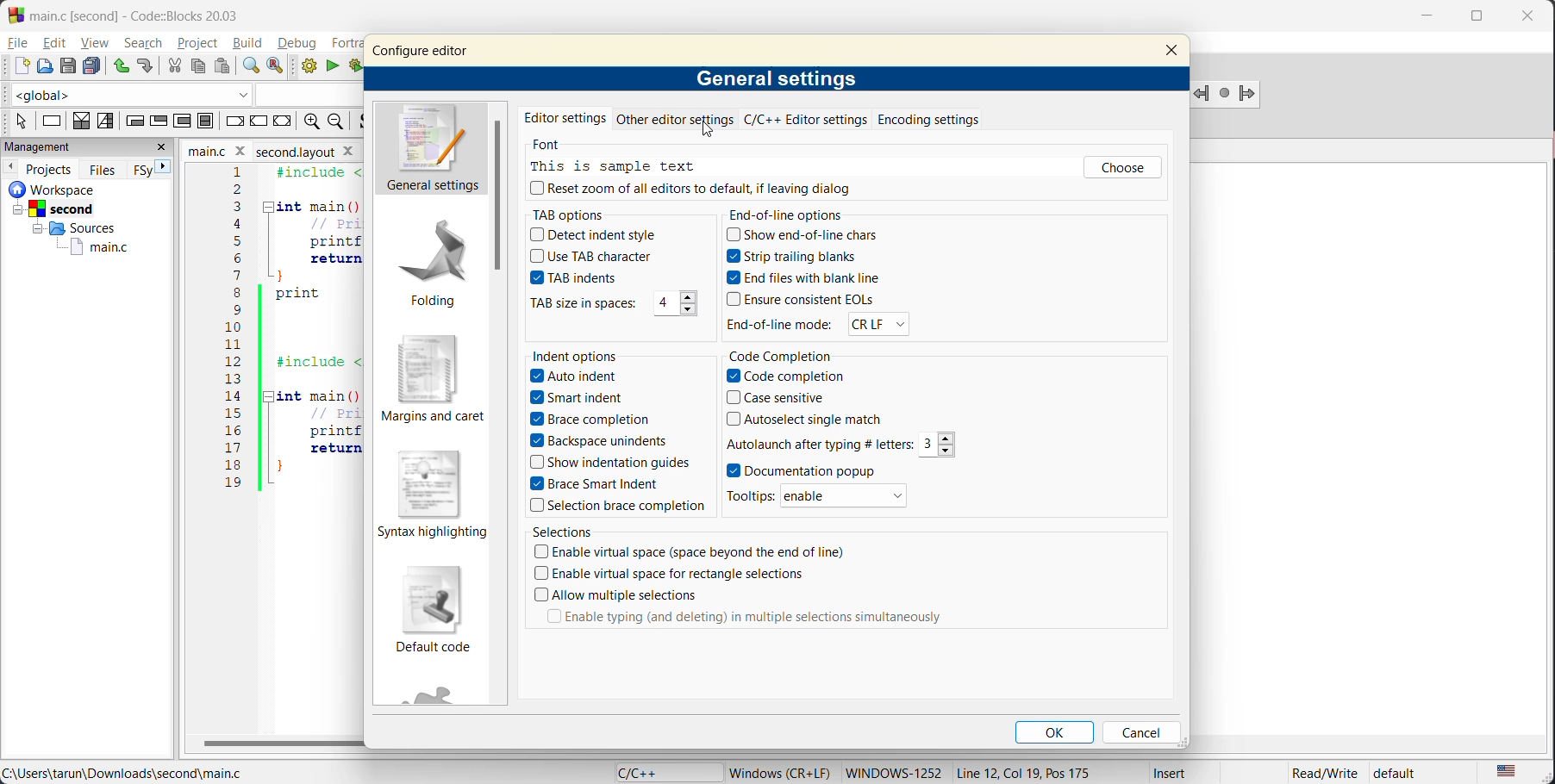 This screenshot has height=784, width=1555. Describe the element at coordinates (301, 44) in the screenshot. I see `debug` at that location.